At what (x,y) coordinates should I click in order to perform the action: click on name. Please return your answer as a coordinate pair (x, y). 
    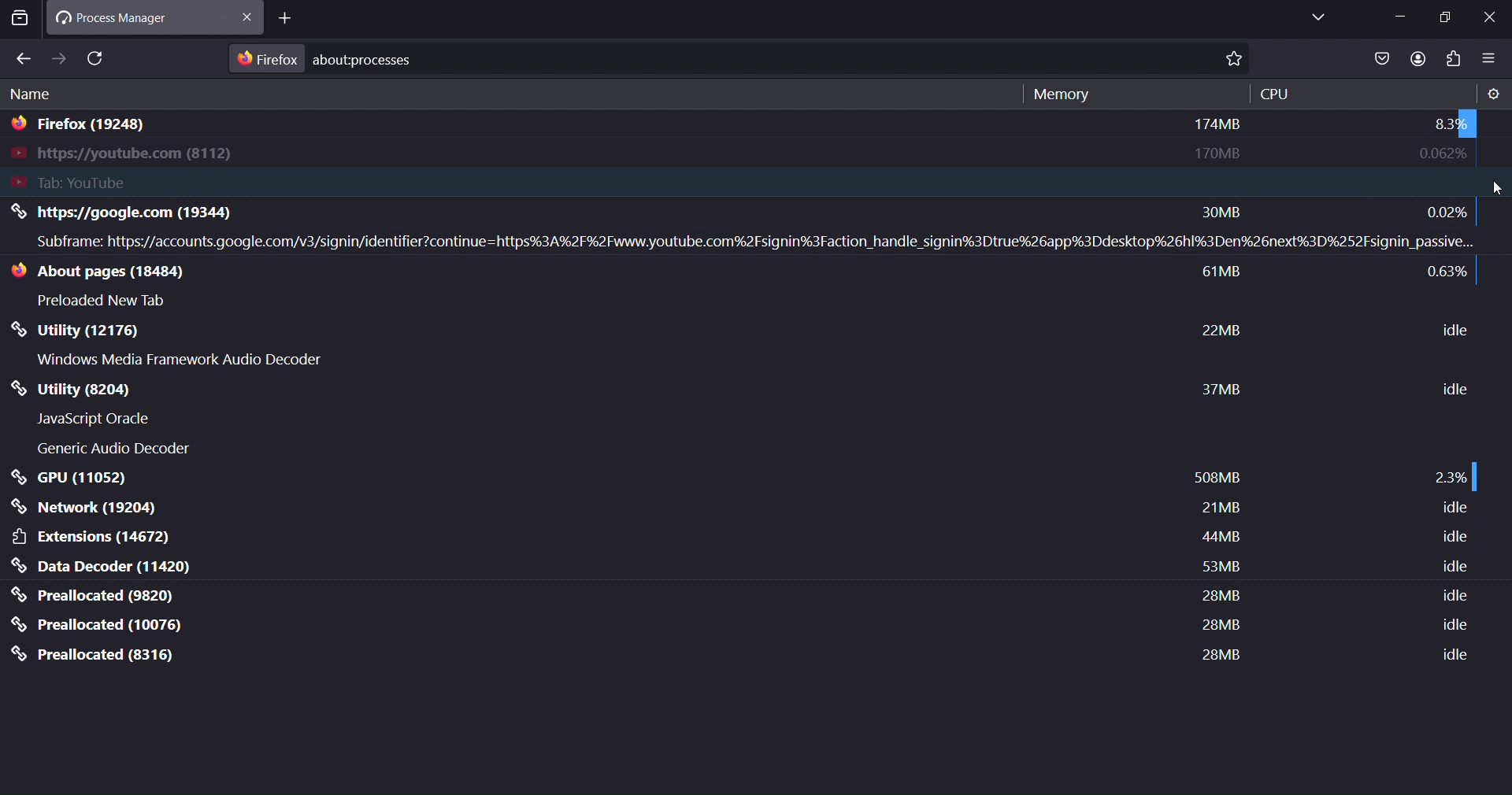
    Looking at the image, I should click on (34, 96).